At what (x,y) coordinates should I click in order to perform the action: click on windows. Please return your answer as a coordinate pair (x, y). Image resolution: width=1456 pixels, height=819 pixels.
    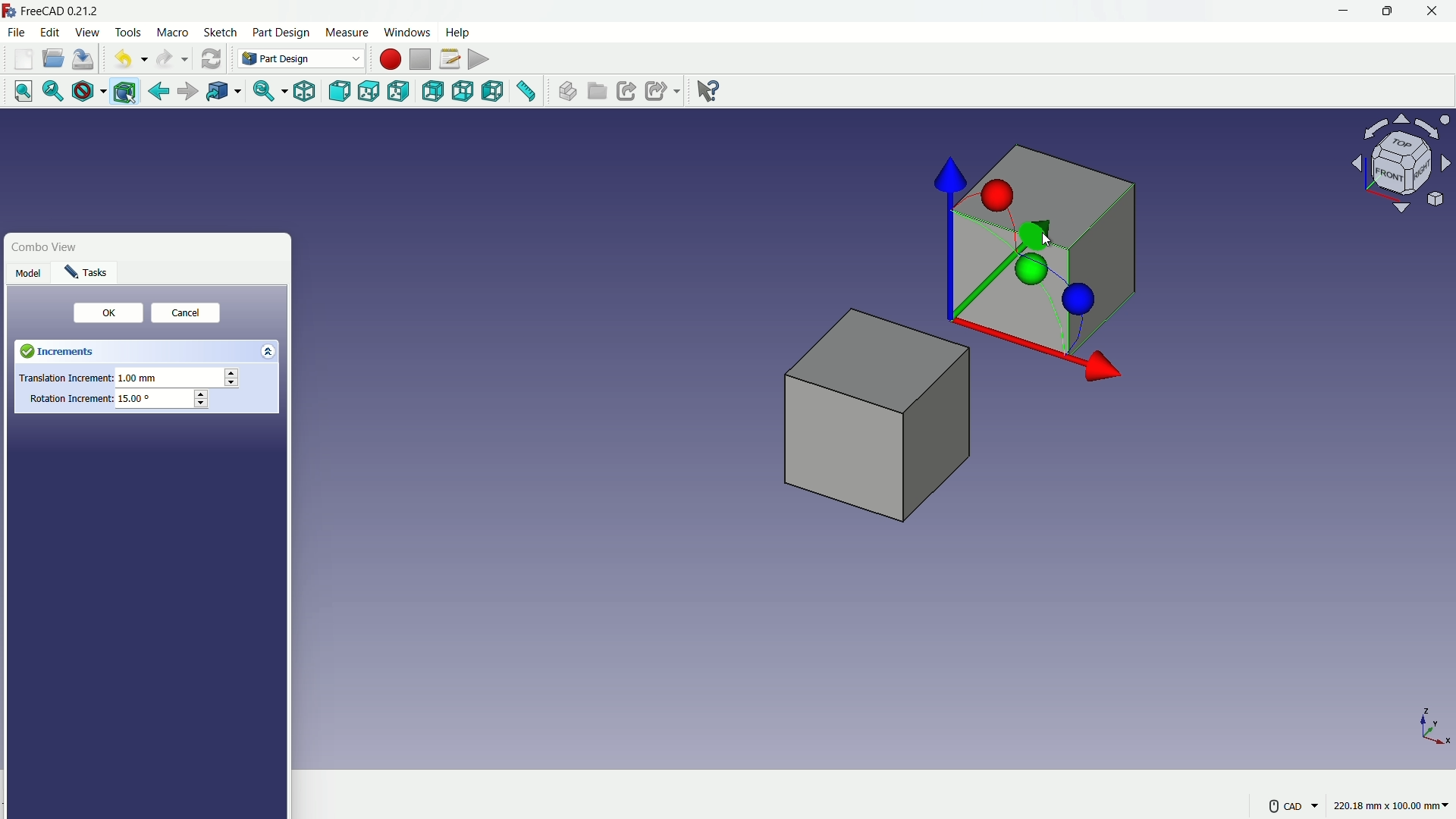
    Looking at the image, I should click on (406, 32).